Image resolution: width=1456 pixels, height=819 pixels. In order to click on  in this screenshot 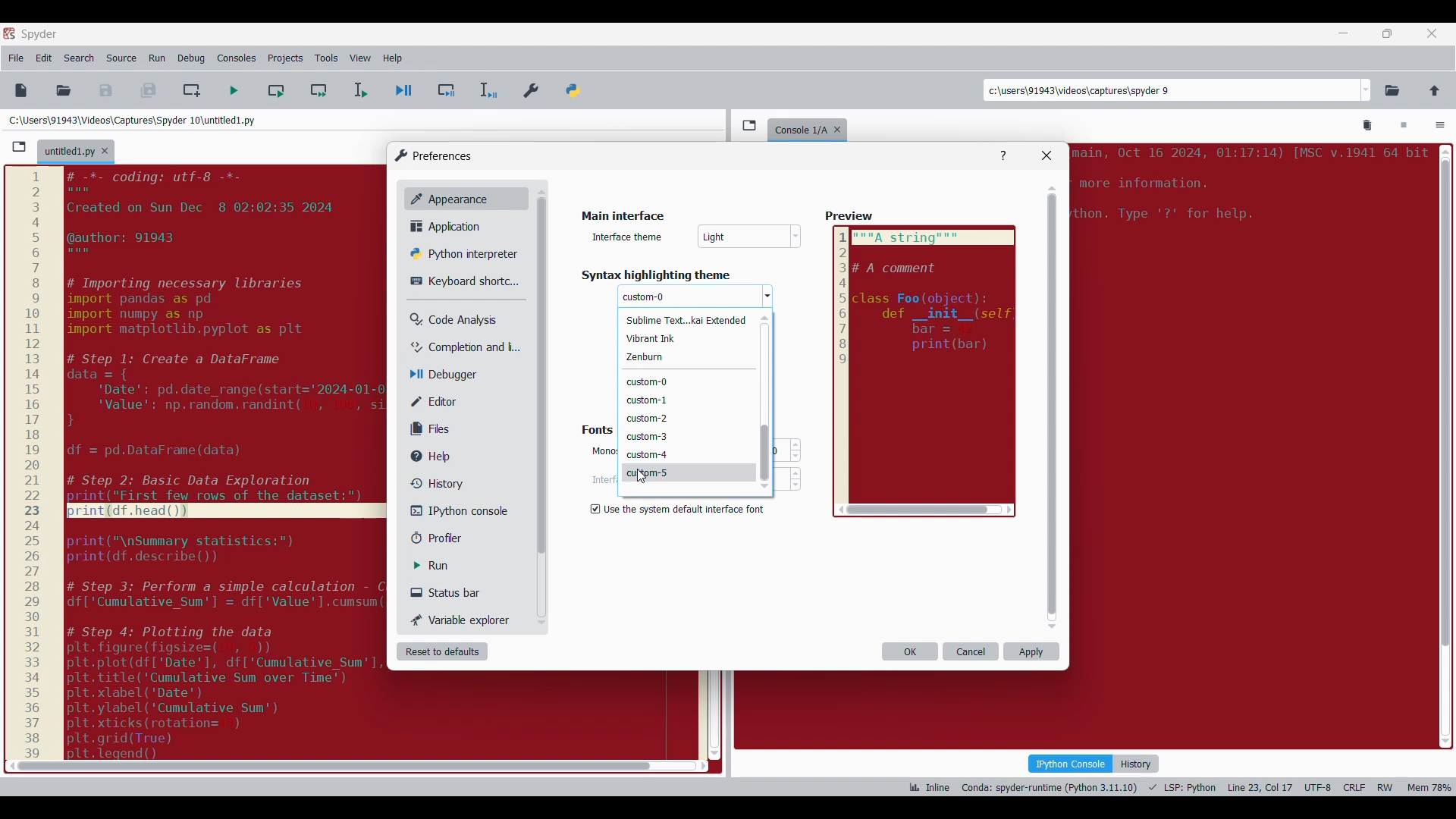, I will do `click(641, 297)`.